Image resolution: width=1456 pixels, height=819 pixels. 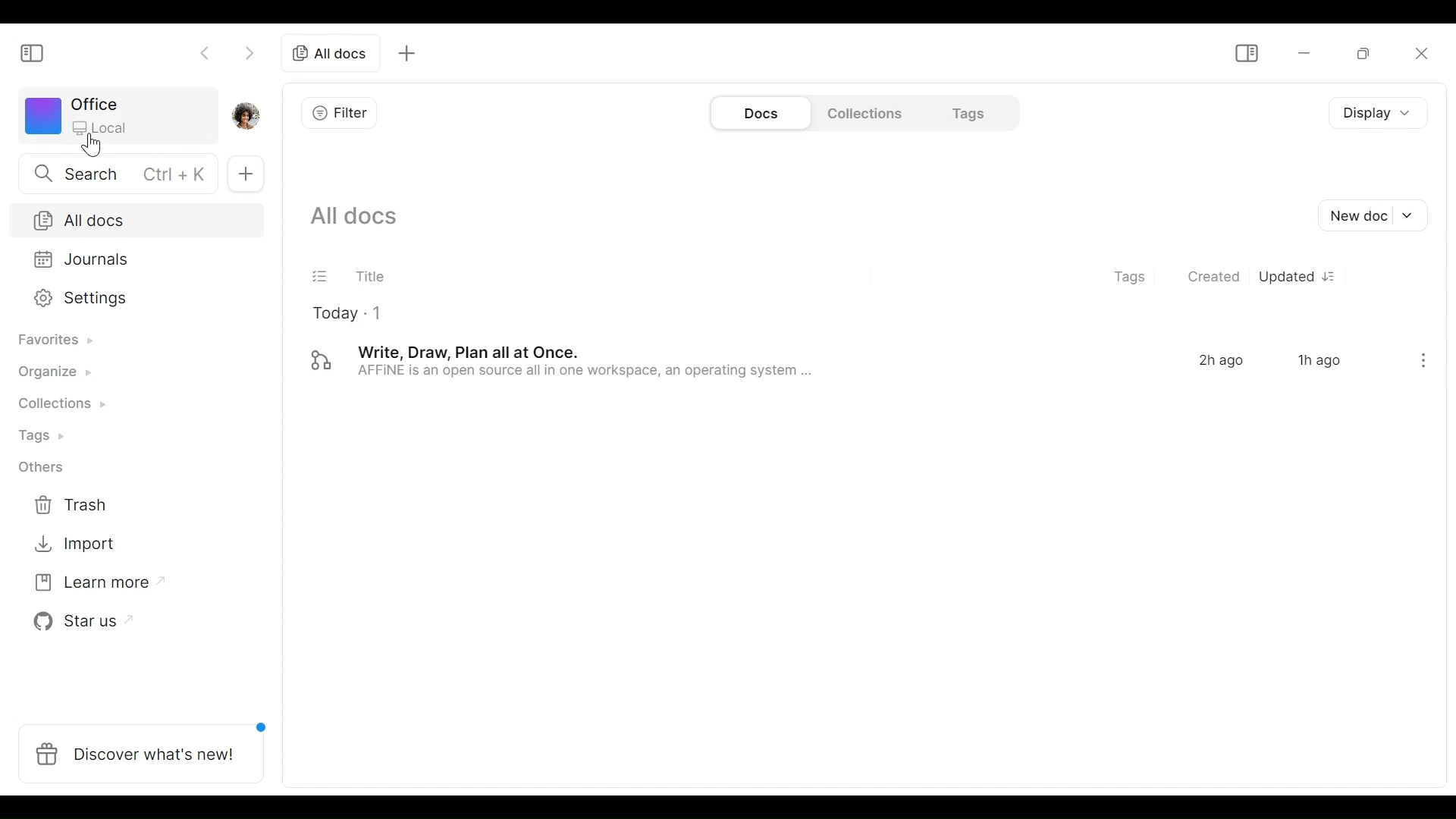 I want to click on Search bar, so click(x=113, y=174).